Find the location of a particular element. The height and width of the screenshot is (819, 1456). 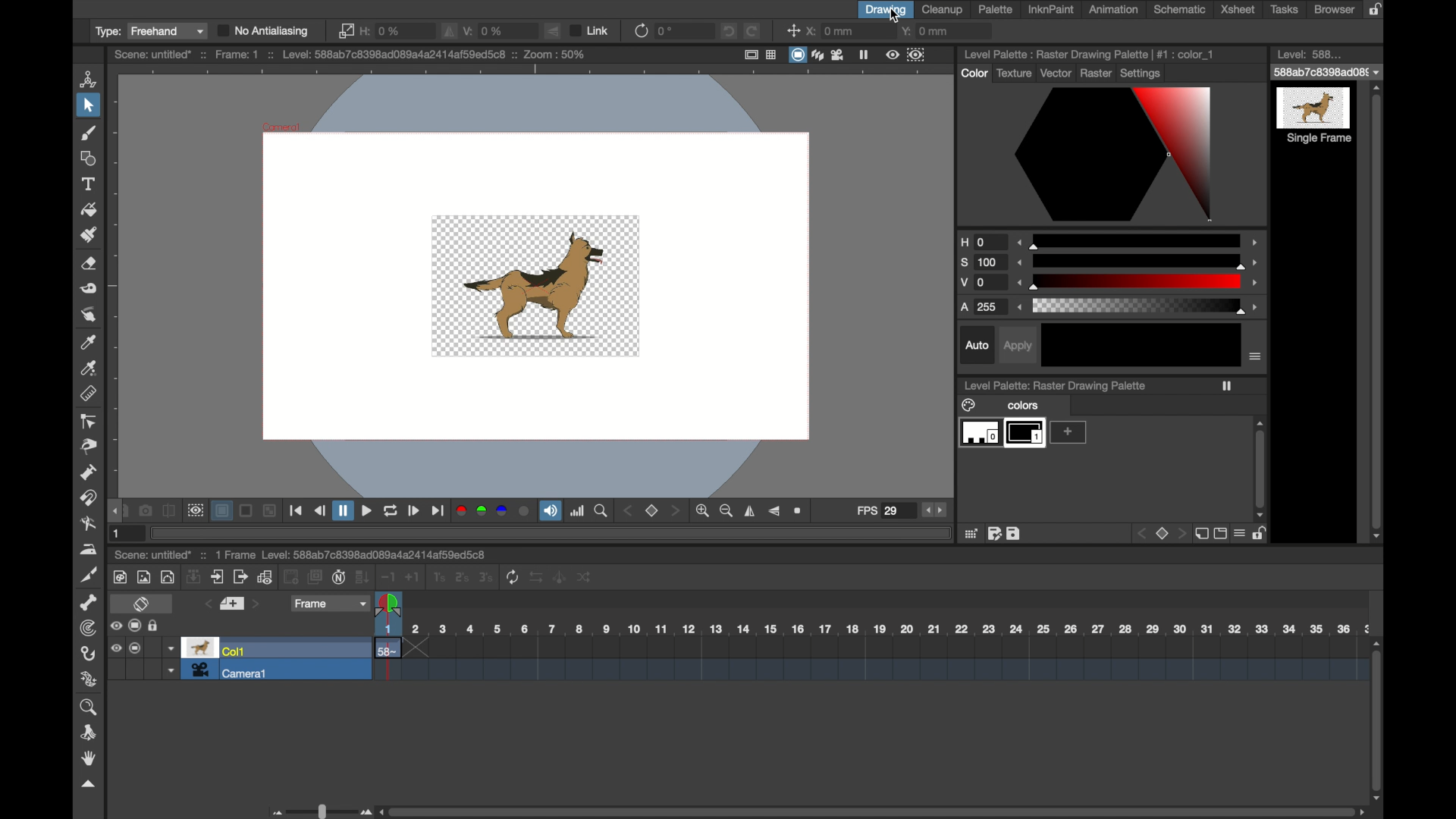

S is located at coordinates (984, 263).